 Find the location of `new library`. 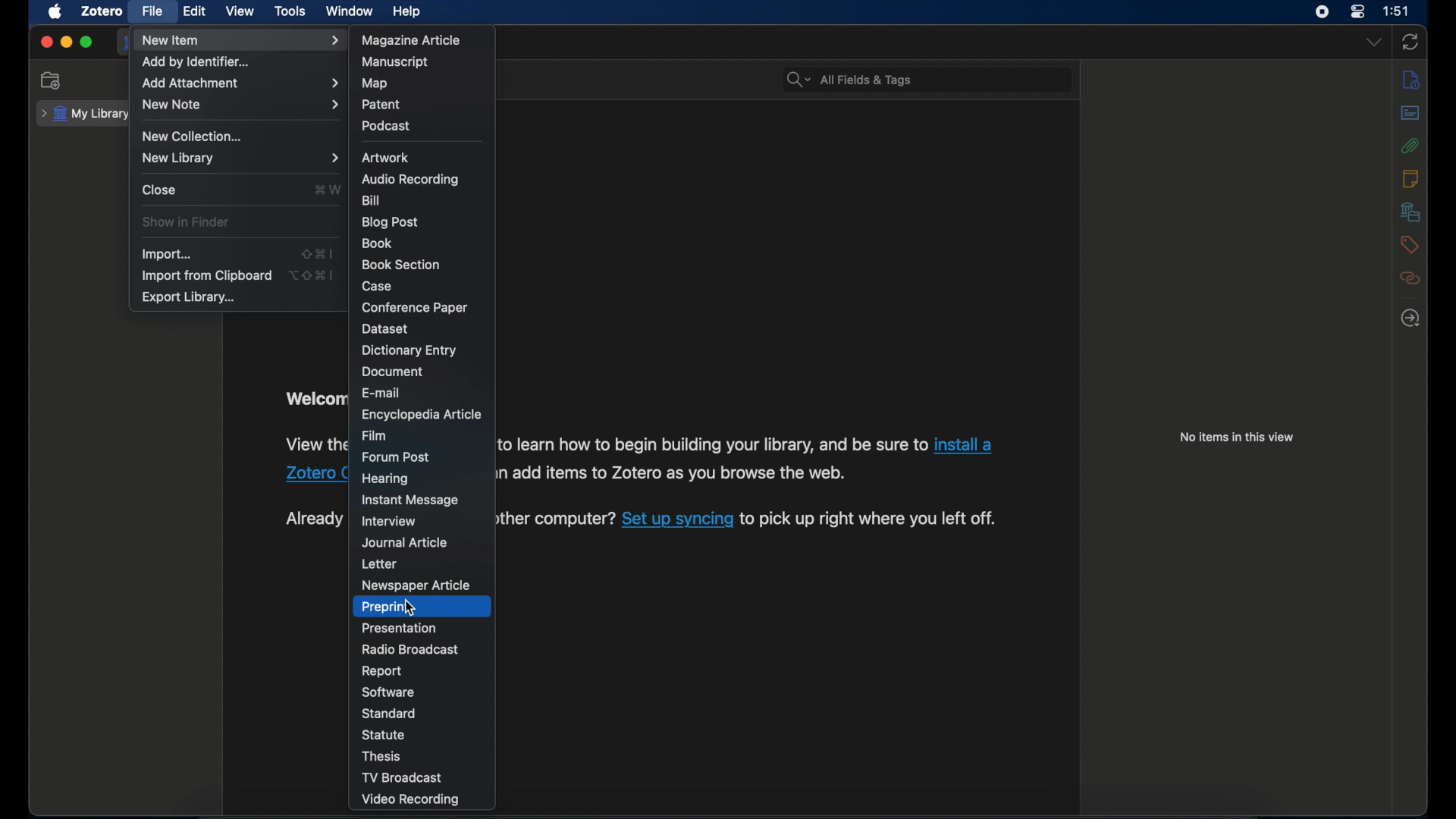

new library is located at coordinates (242, 158).